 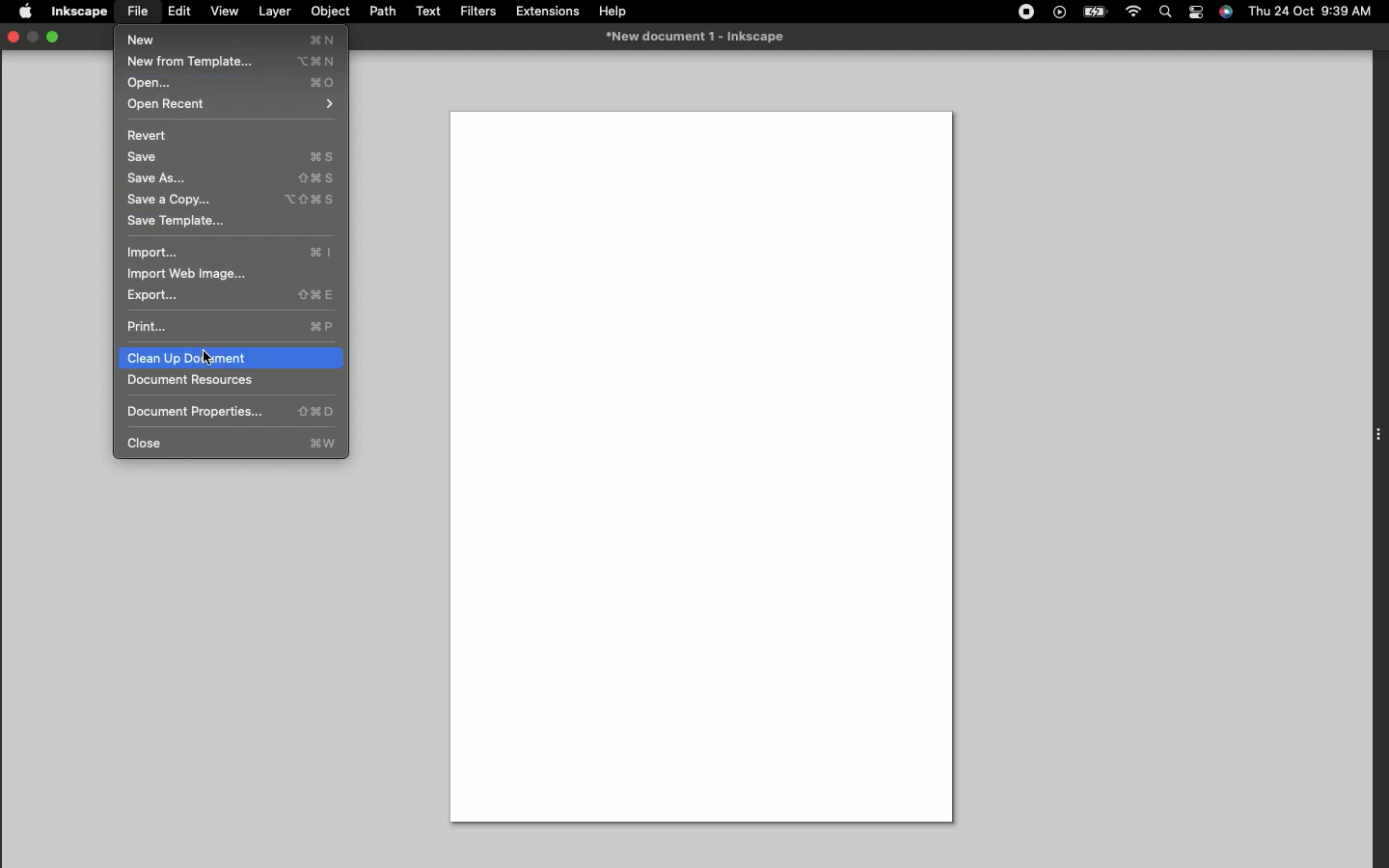 What do you see at coordinates (1316, 13) in the screenshot?
I see `Thu 24 Oct 9:30 AM` at bounding box center [1316, 13].